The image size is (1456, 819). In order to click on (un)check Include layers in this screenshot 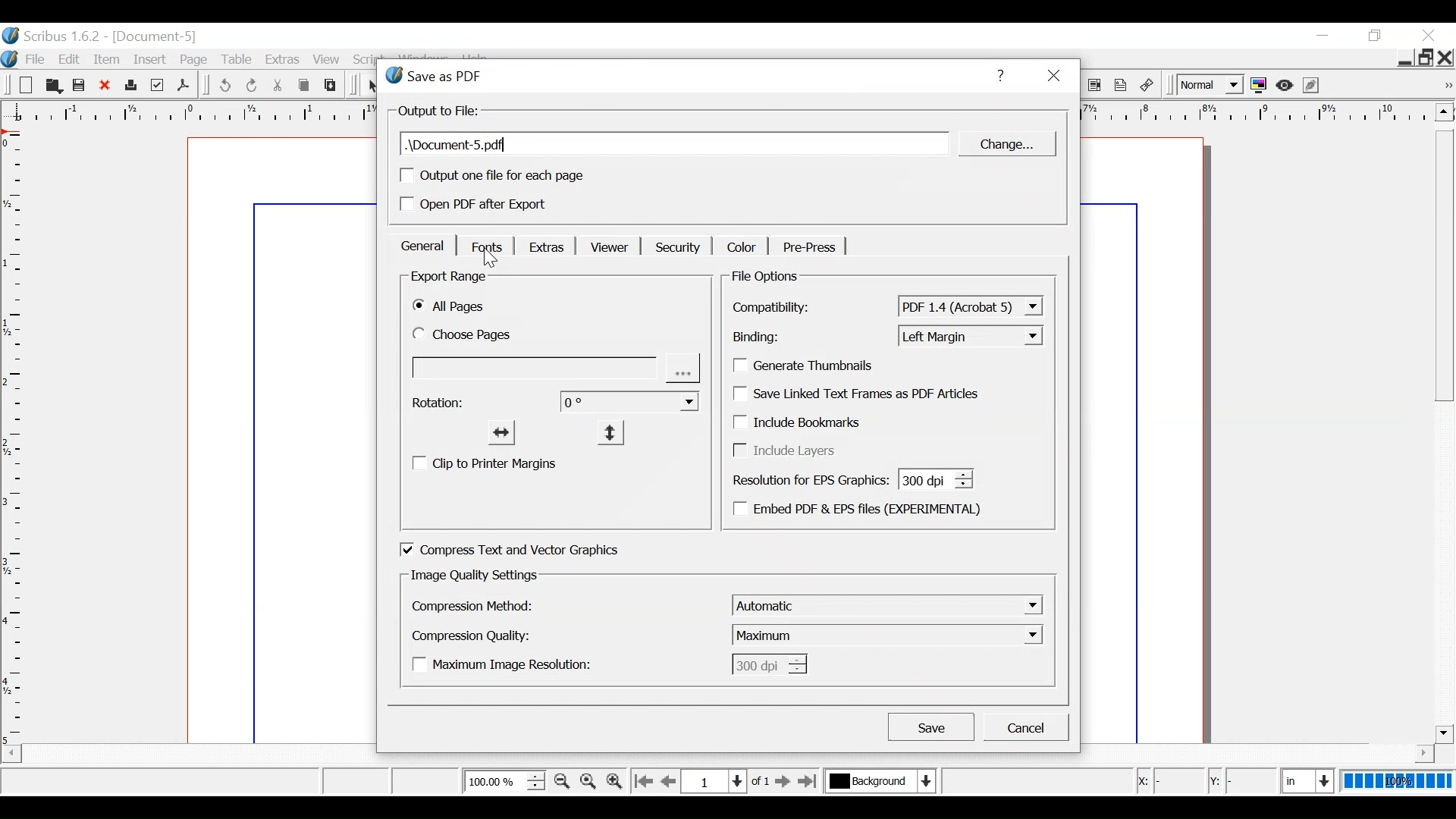, I will do `click(789, 451)`.